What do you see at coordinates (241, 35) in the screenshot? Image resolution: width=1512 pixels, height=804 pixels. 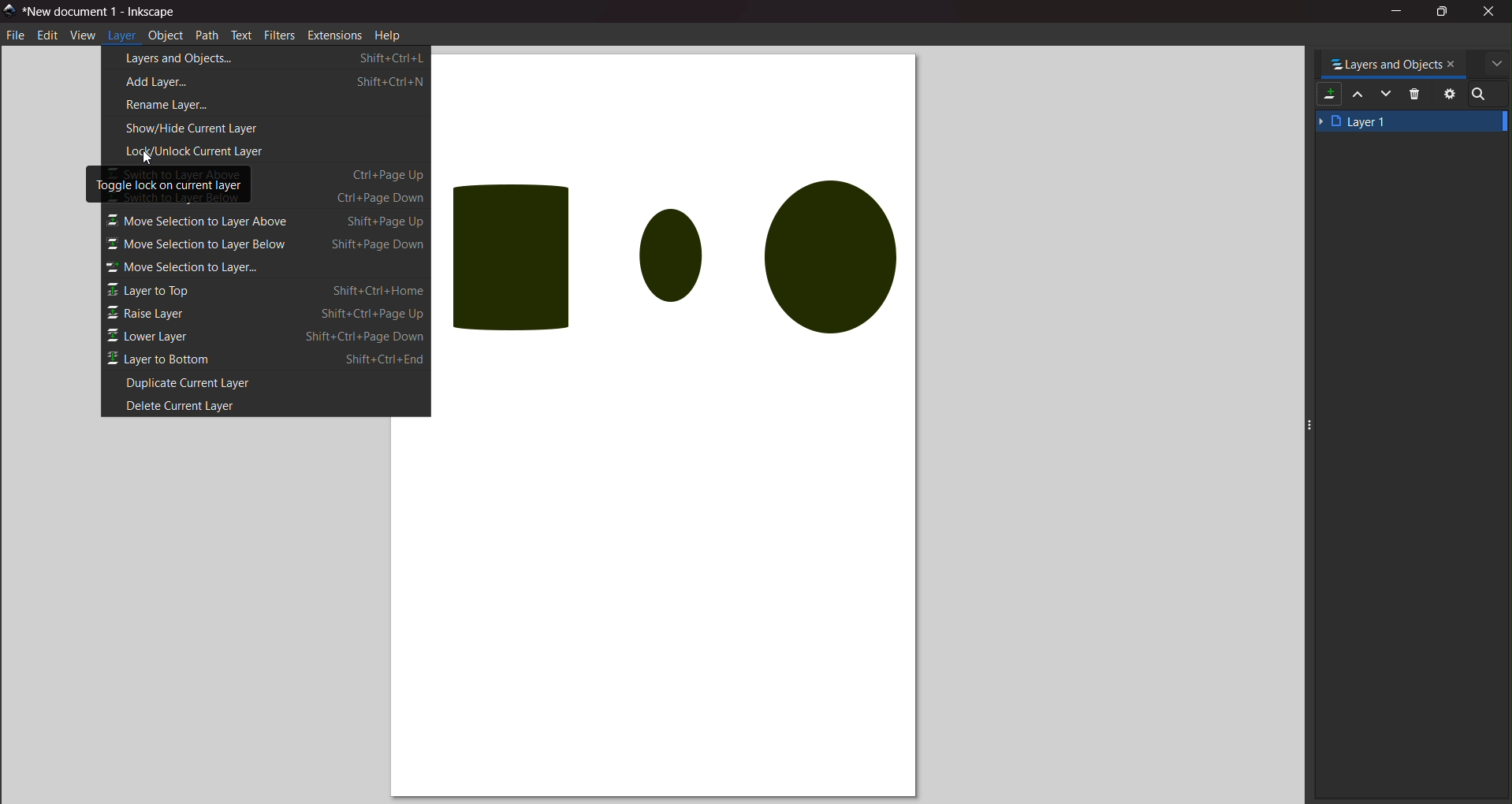 I see `text` at bounding box center [241, 35].